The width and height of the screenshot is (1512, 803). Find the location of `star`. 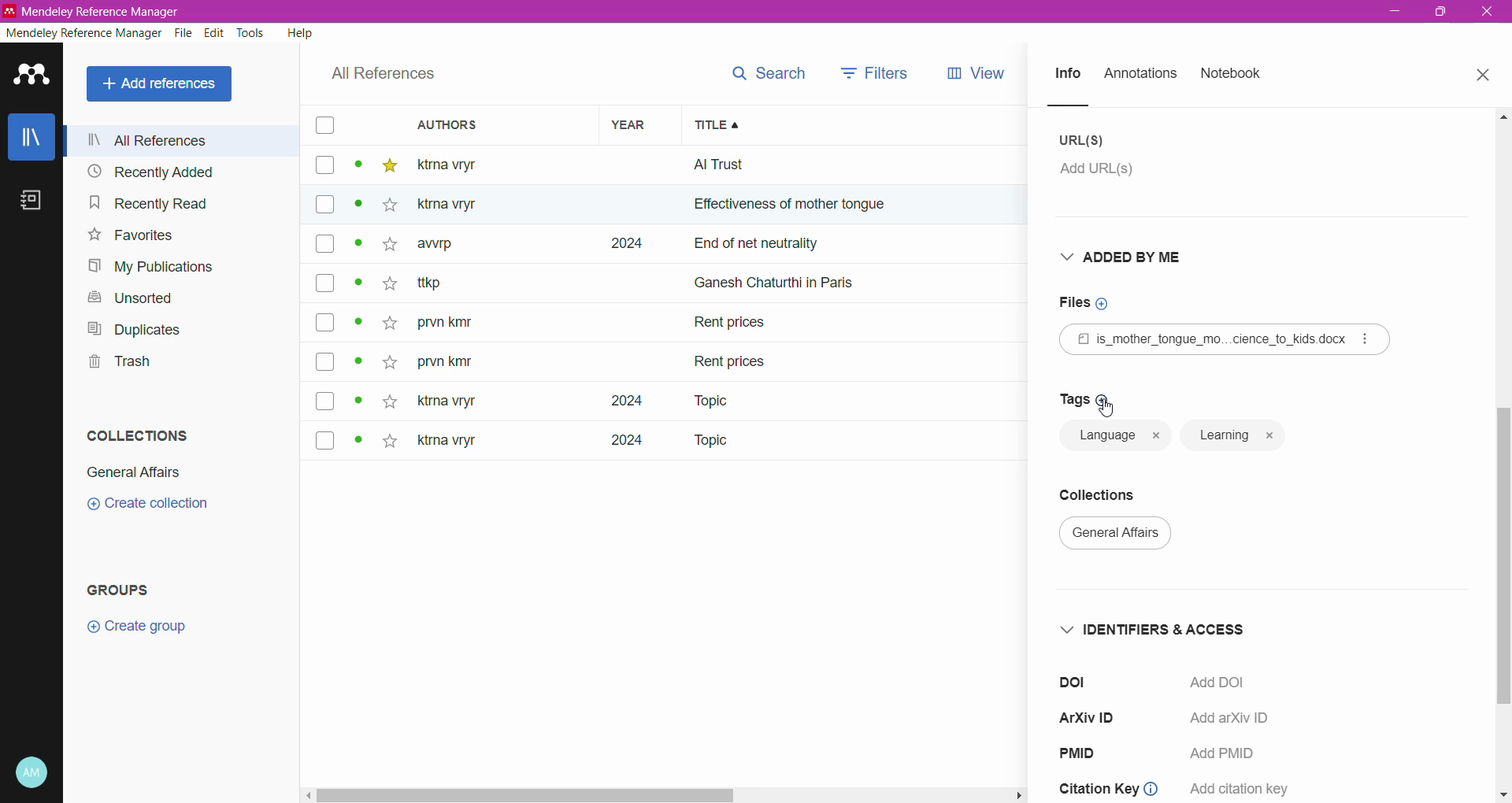

star is located at coordinates (386, 208).